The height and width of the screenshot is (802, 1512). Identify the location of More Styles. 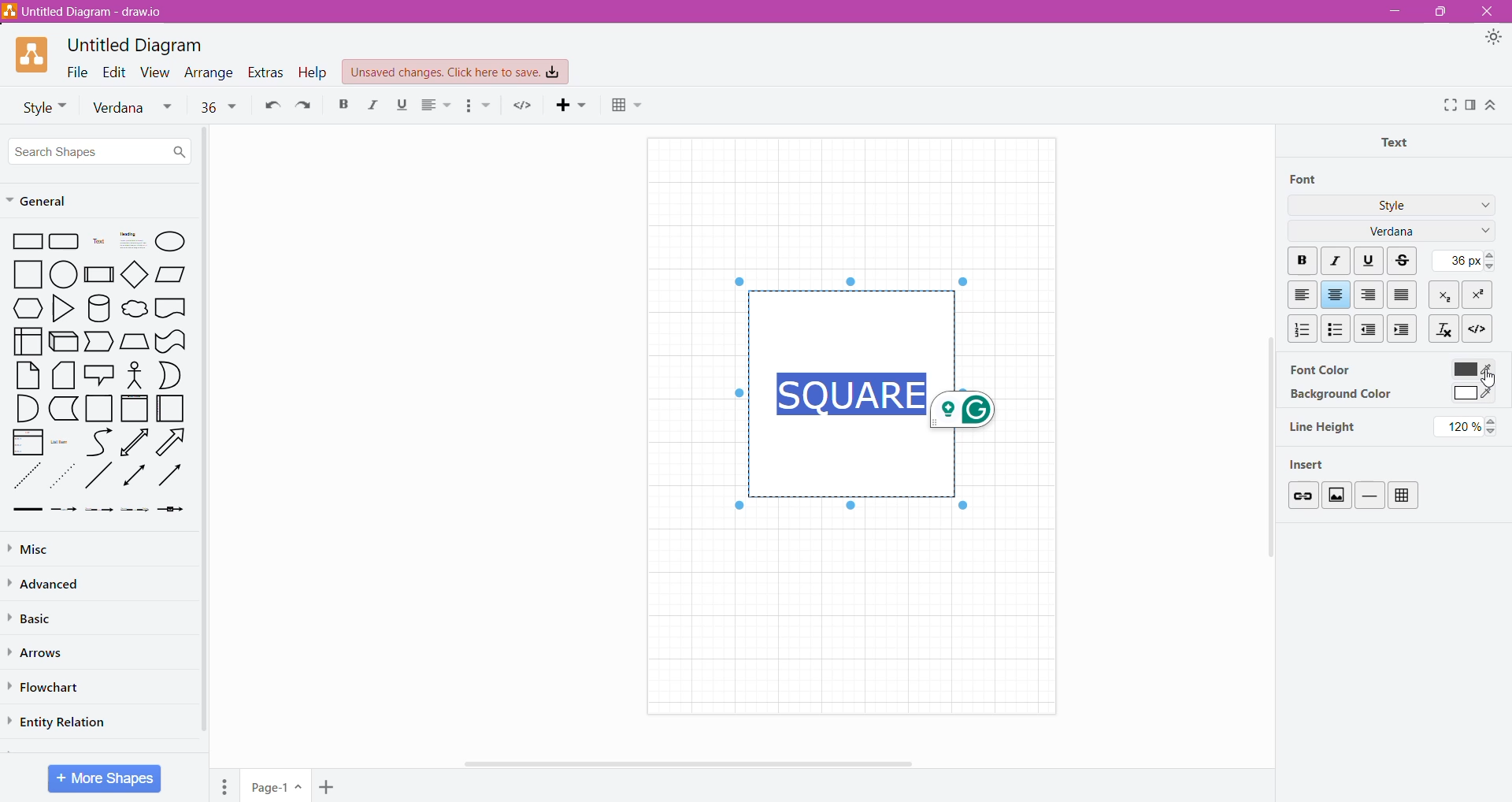
(1482, 207).